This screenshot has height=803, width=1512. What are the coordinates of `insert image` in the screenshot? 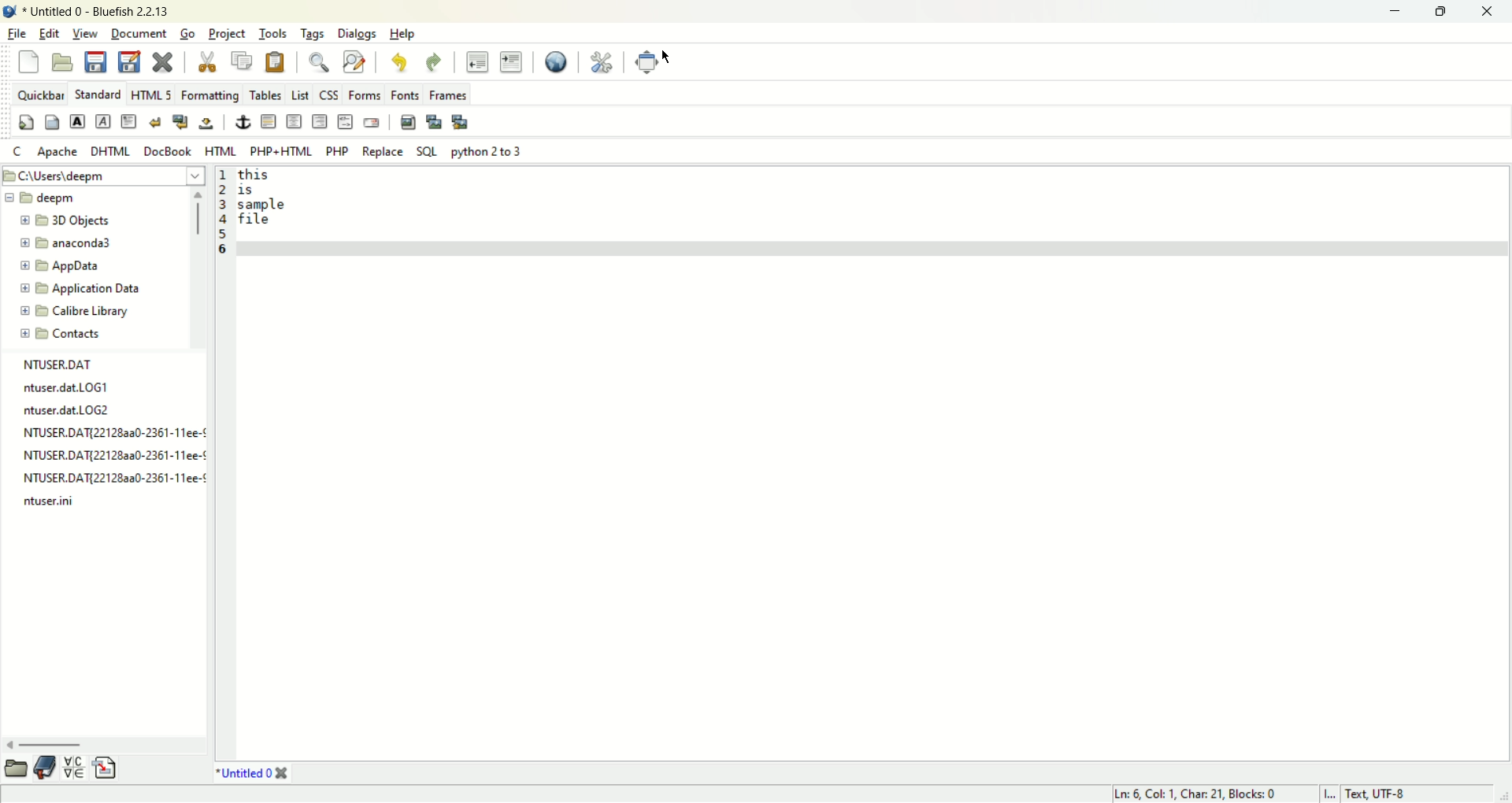 It's located at (408, 122).